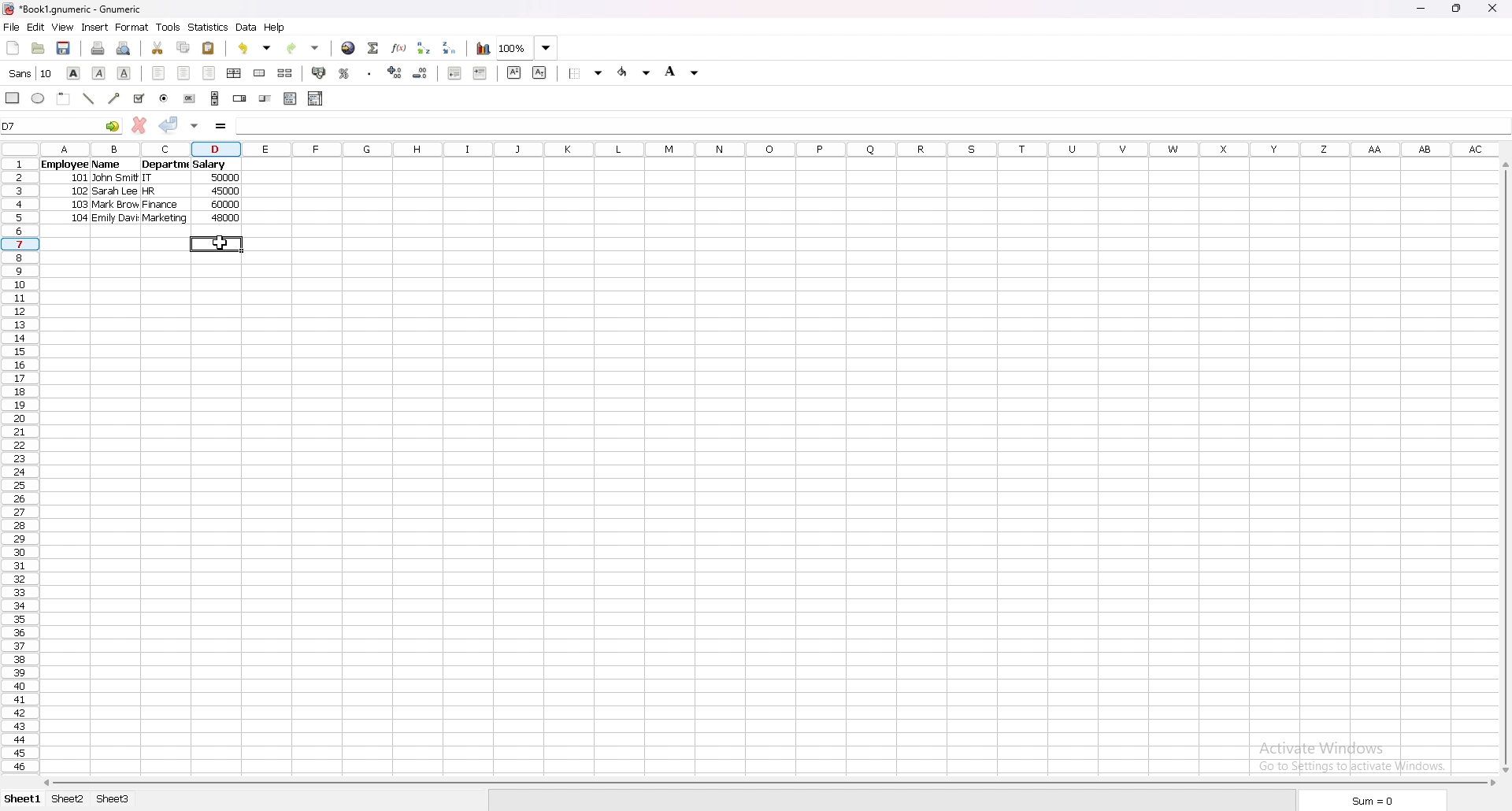  What do you see at coordinates (157, 47) in the screenshot?
I see `cut` at bounding box center [157, 47].